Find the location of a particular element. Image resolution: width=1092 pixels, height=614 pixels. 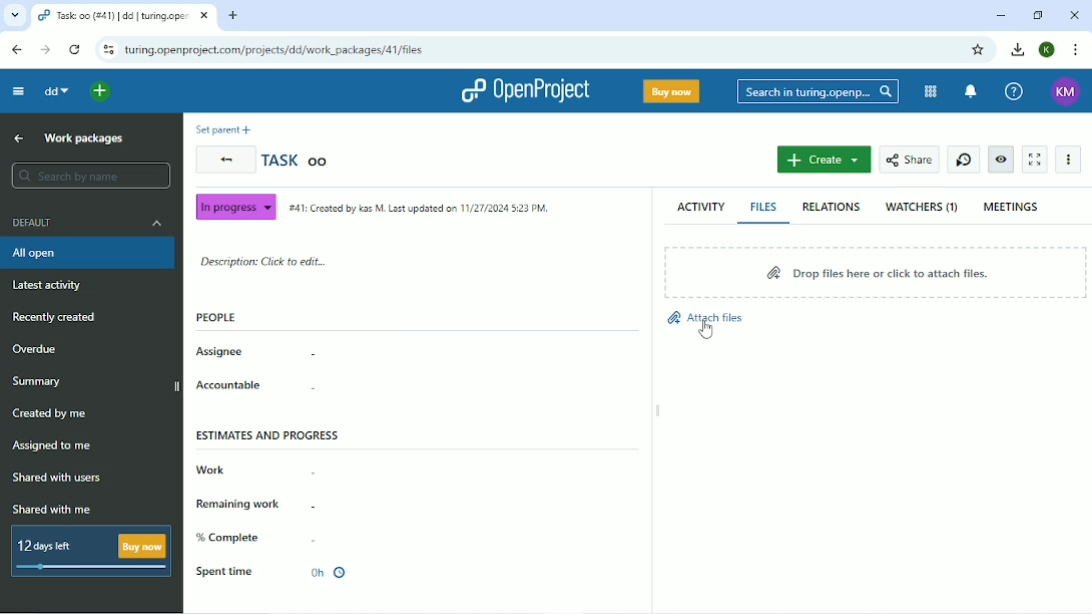

Customize and control google chrome is located at coordinates (1078, 50).